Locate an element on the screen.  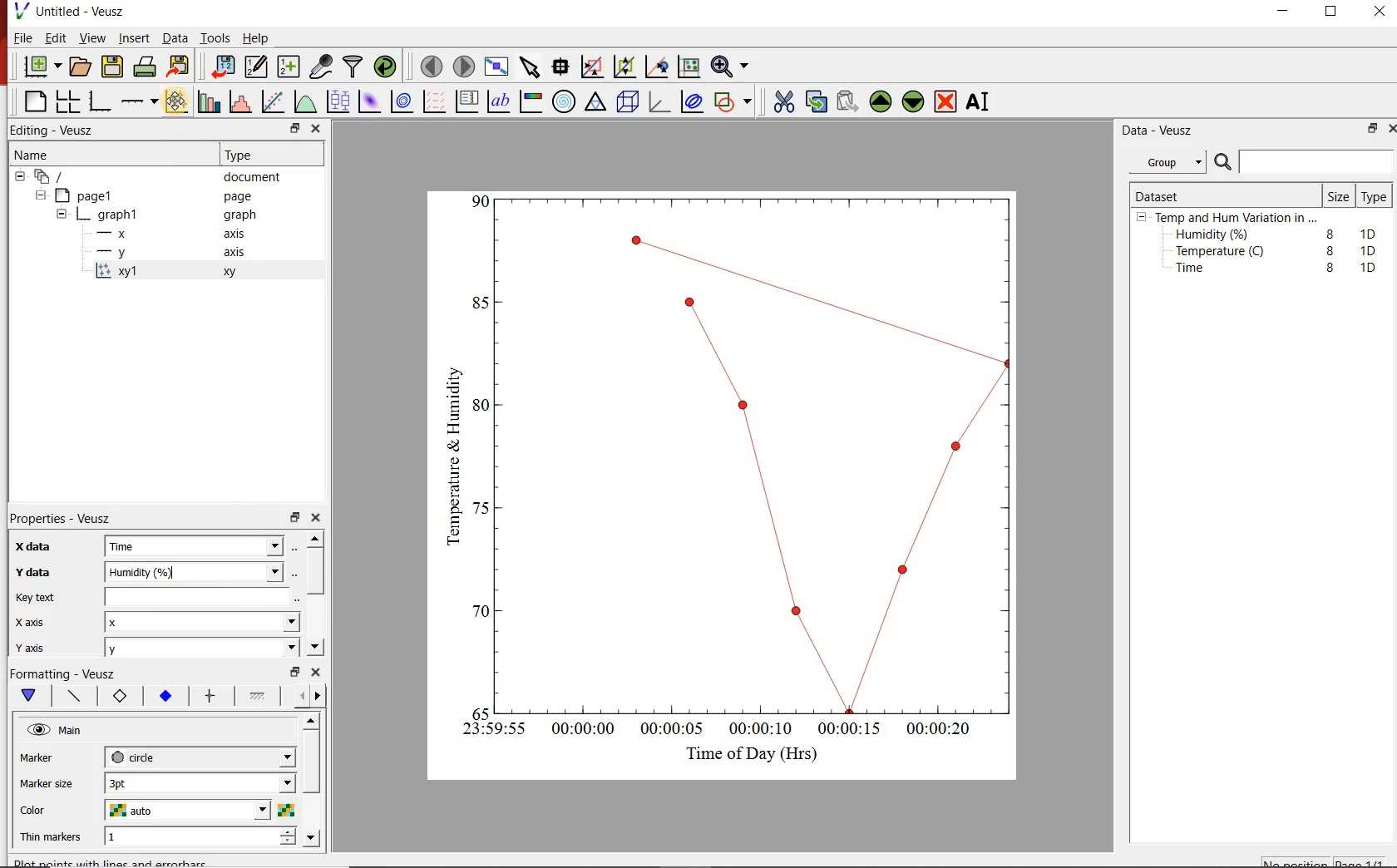
Color dropdown is located at coordinates (237, 811).